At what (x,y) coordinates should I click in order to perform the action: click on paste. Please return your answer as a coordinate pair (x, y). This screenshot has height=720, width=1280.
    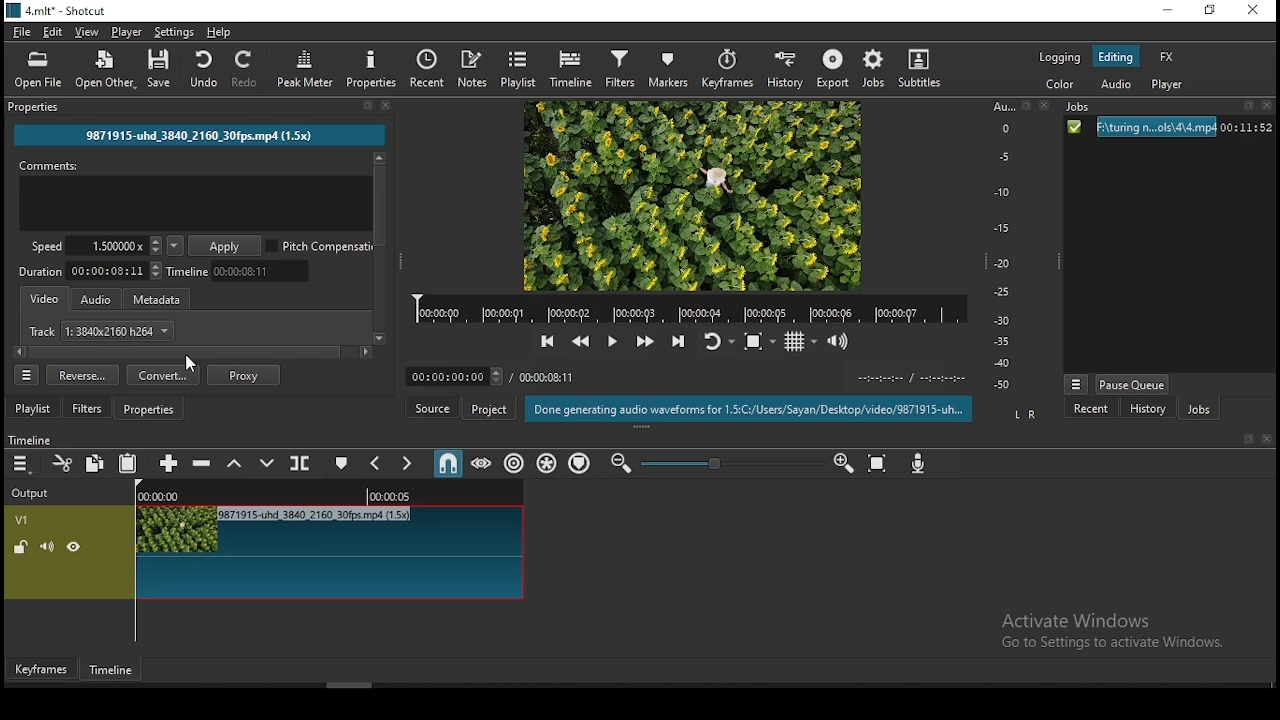
    Looking at the image, I should click on (128, 465).